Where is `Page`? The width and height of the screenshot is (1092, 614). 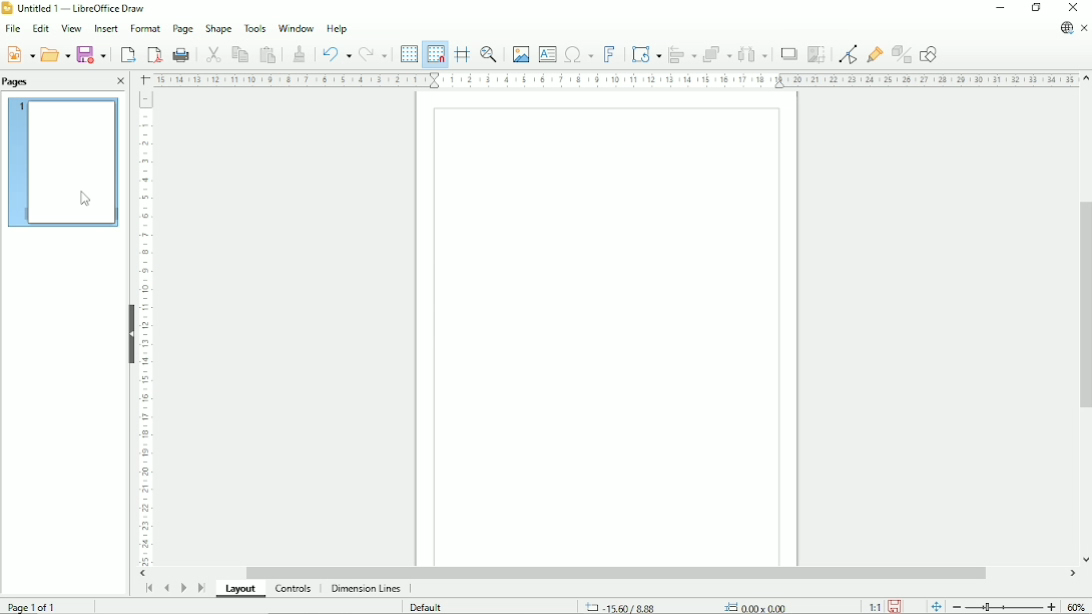
Page is located at coordinates (182, 29).